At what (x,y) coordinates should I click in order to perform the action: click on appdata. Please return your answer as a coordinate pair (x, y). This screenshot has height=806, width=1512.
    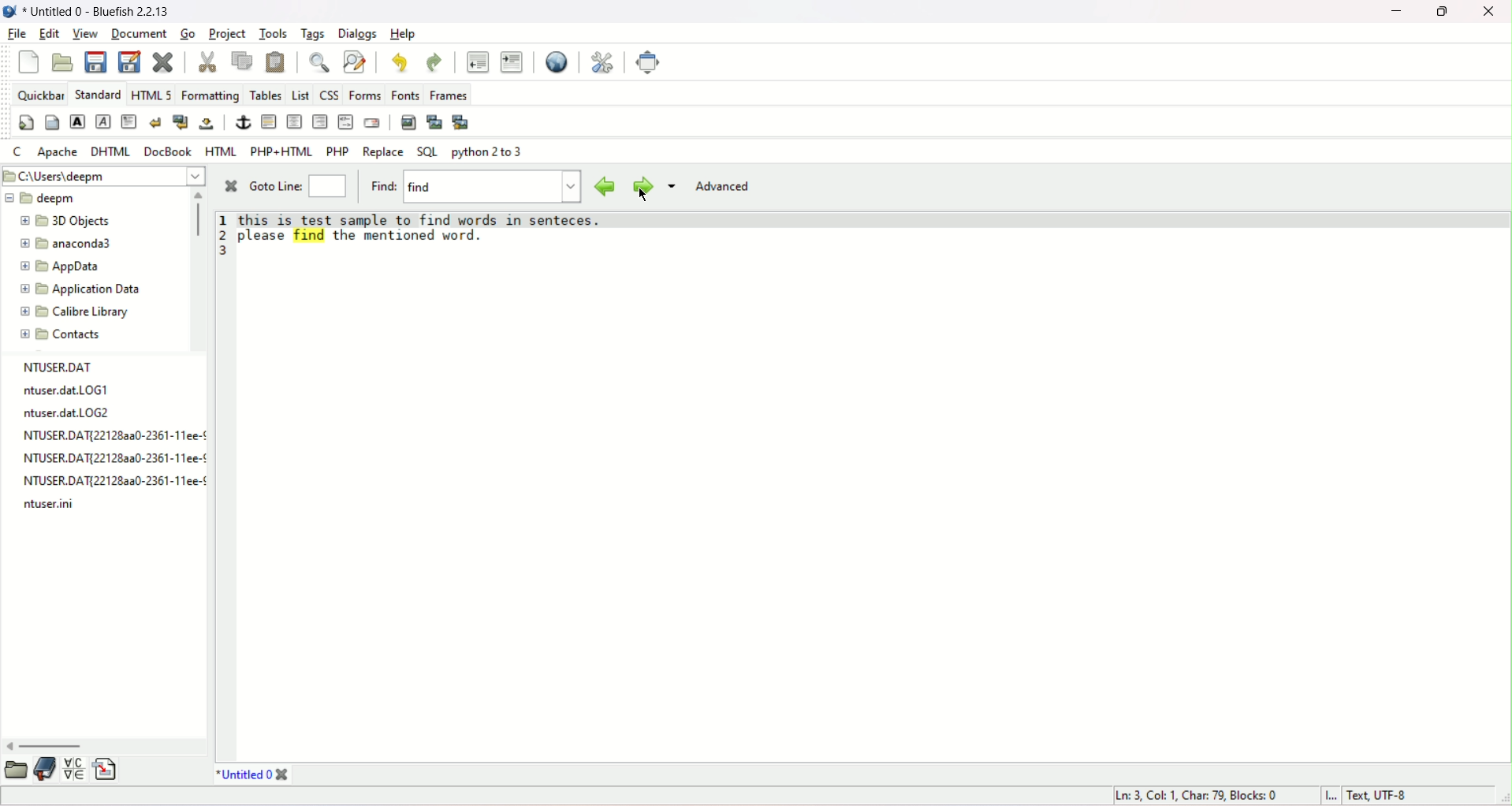
    Looking at the image, I should click on (68, 267).